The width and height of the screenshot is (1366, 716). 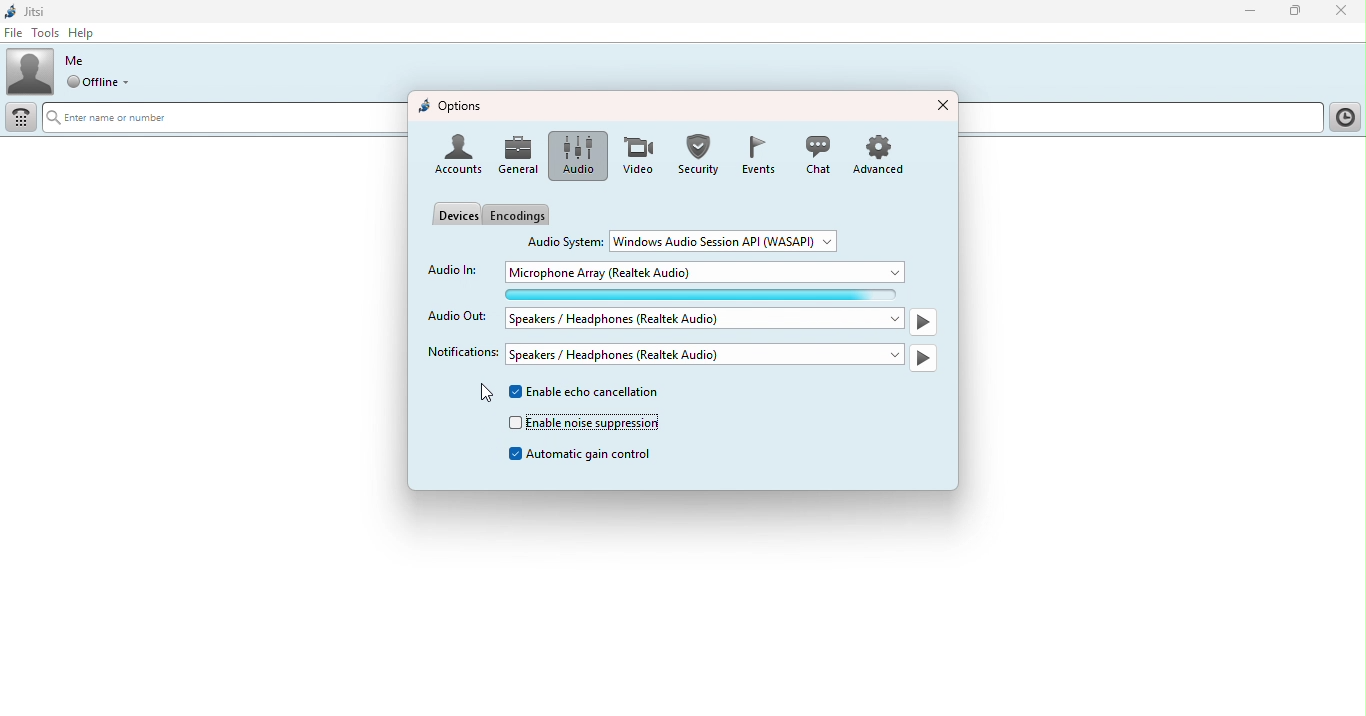 I want to click on Cursor, so click(x=481, y=395).